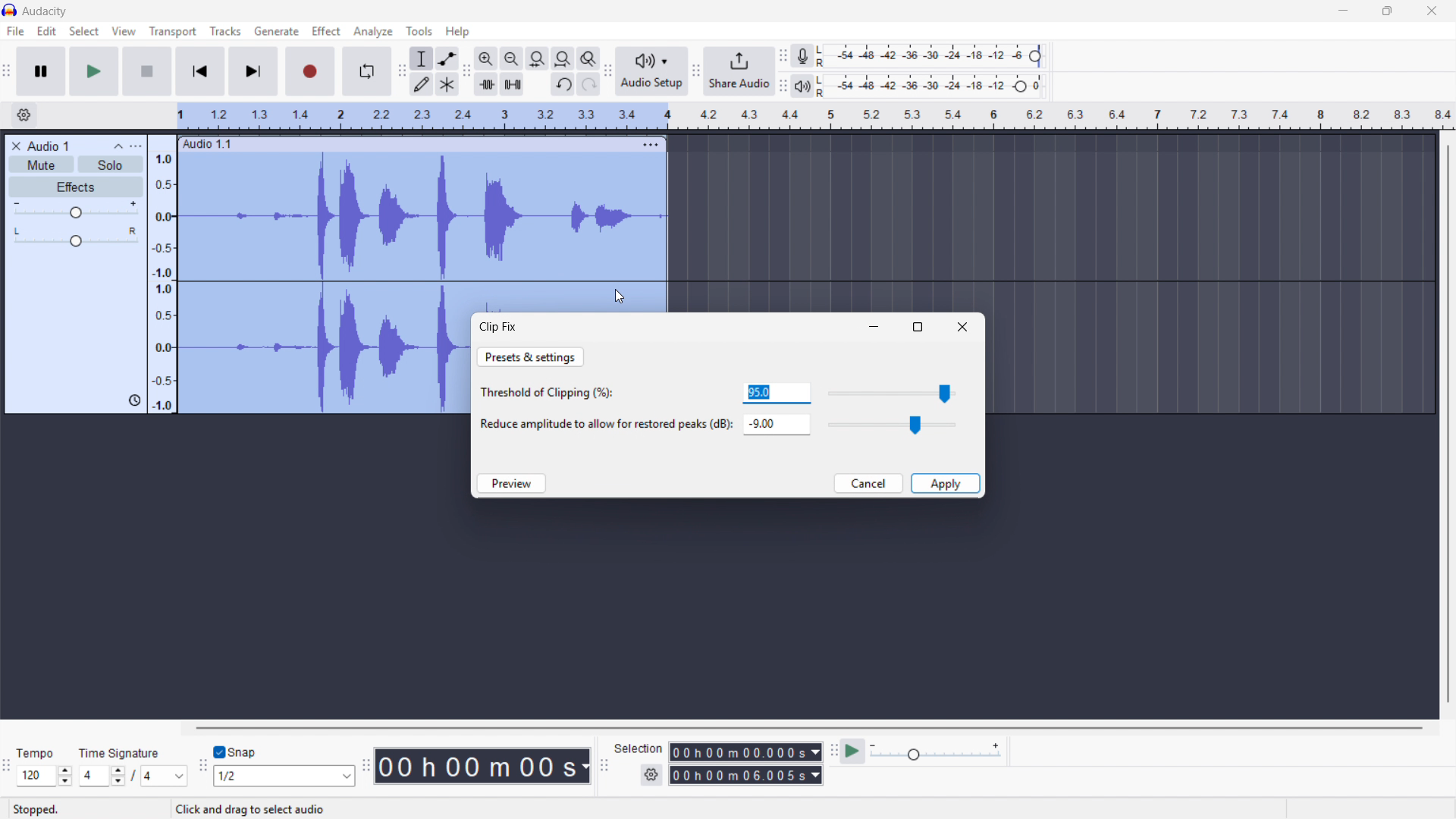 This screenshot has height=819, width=1456. Describe the element at coordinates (327, 32) in the screenshot. I see `Effect` at that location.